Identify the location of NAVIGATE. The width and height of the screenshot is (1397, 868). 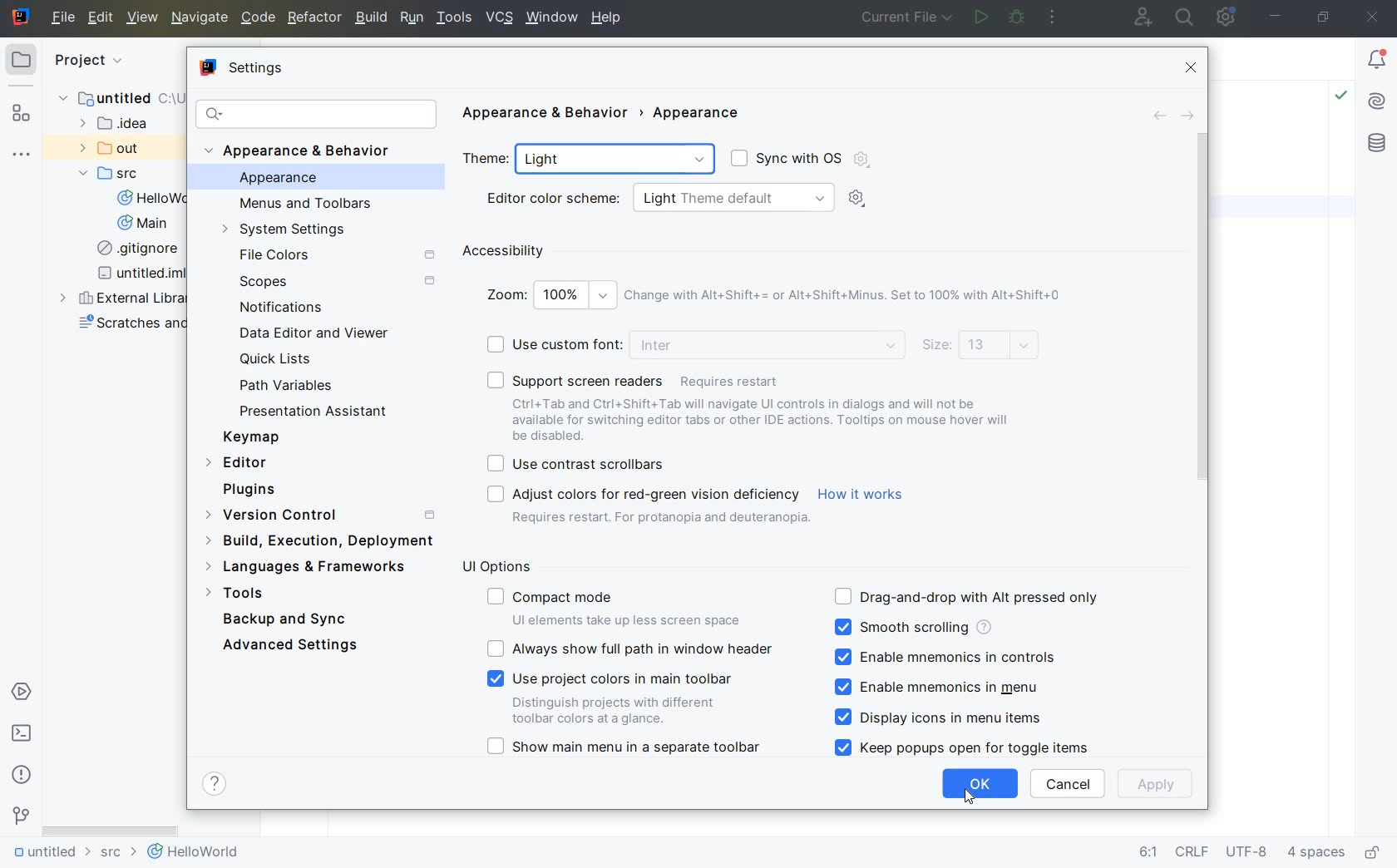
(200, 17).